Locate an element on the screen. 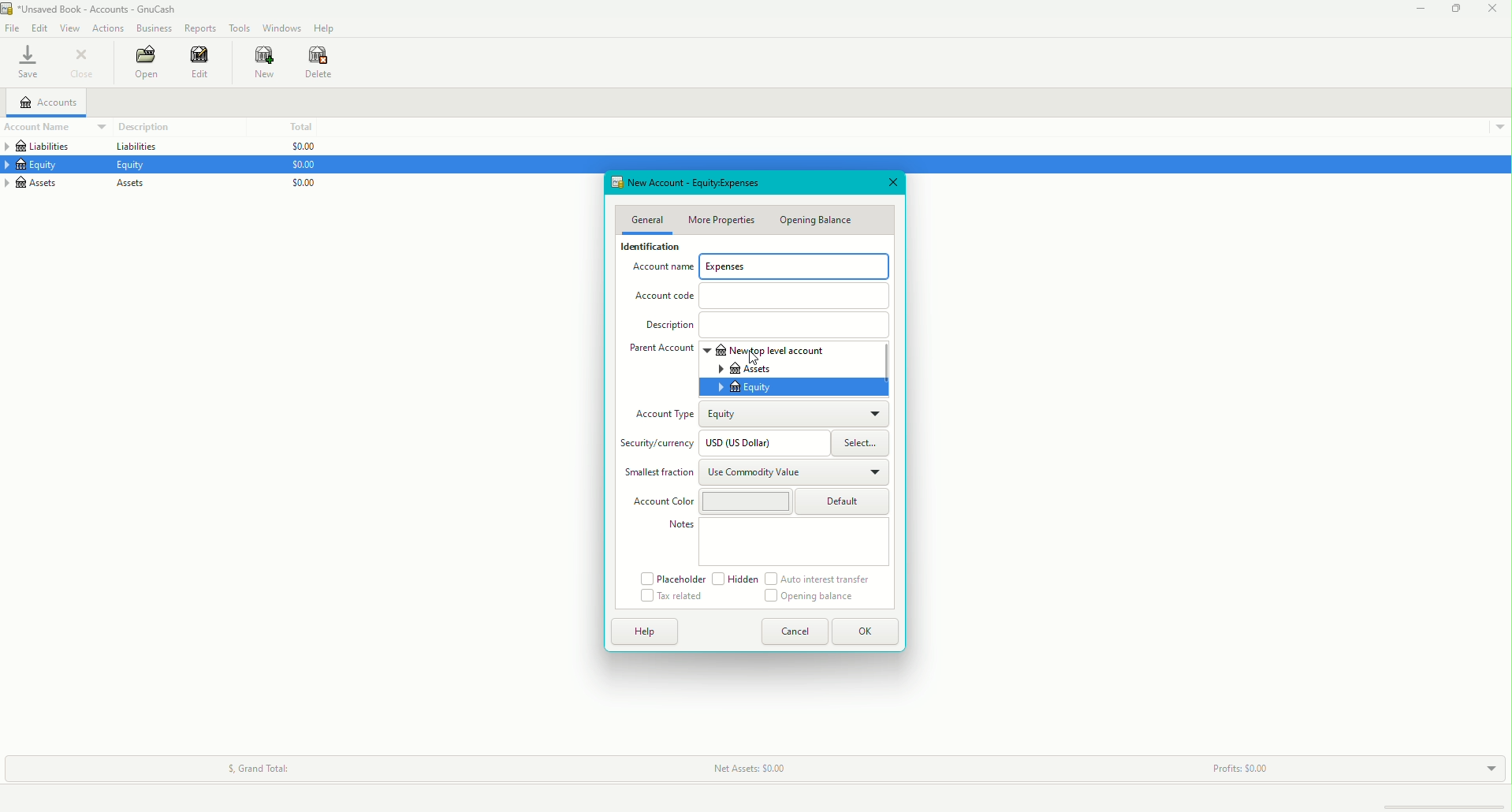 This screenshot has height=812, width=1512. Use Commodity Value is located at coordinates (795, 473).